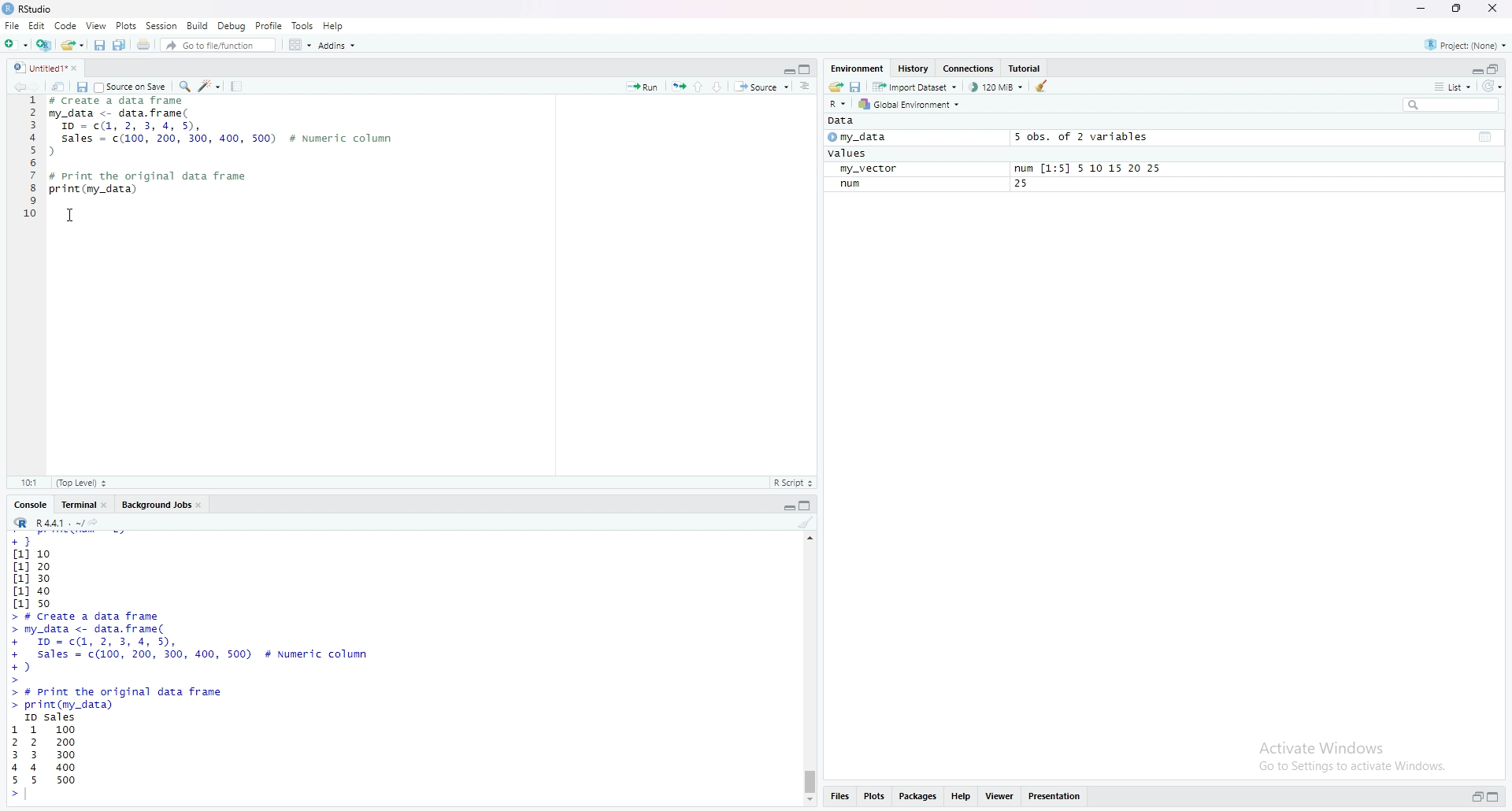 This screenshot has height=811, width=1512. Describe the element at coordinates (126, 102) in the screenshot. I see `# create a data frame` at that location.